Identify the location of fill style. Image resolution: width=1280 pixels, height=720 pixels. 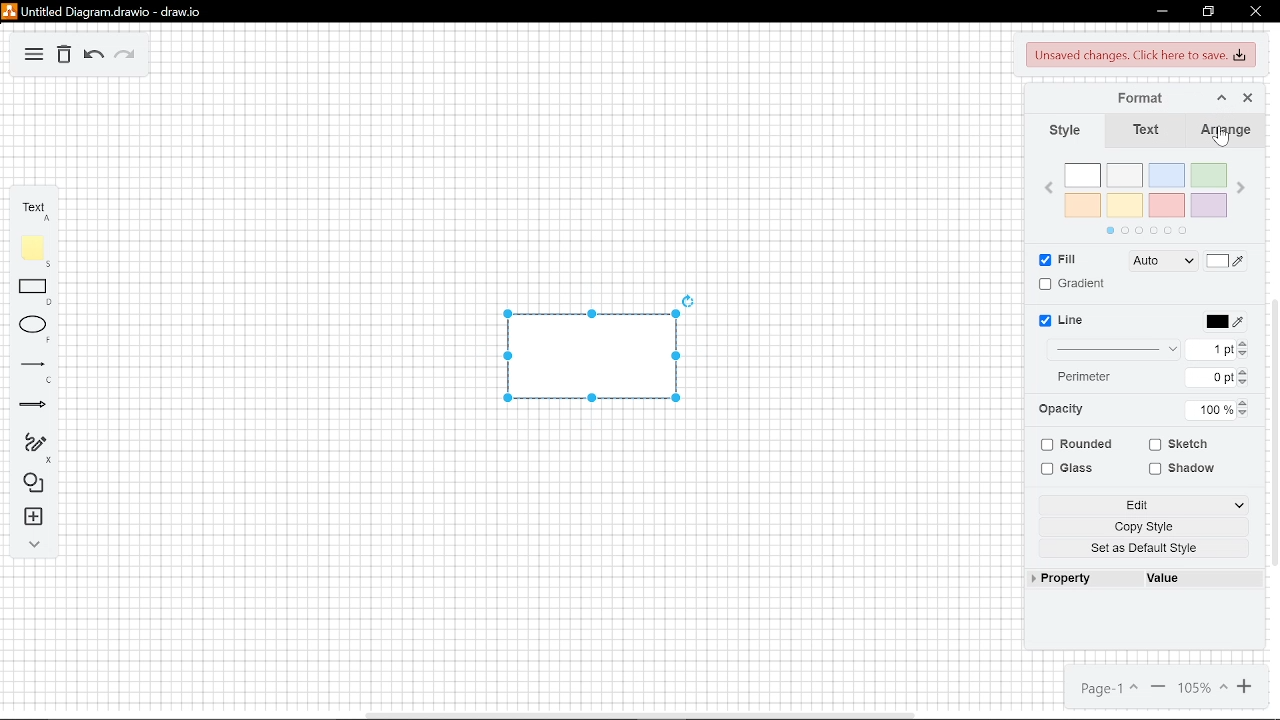
(1161, 261).